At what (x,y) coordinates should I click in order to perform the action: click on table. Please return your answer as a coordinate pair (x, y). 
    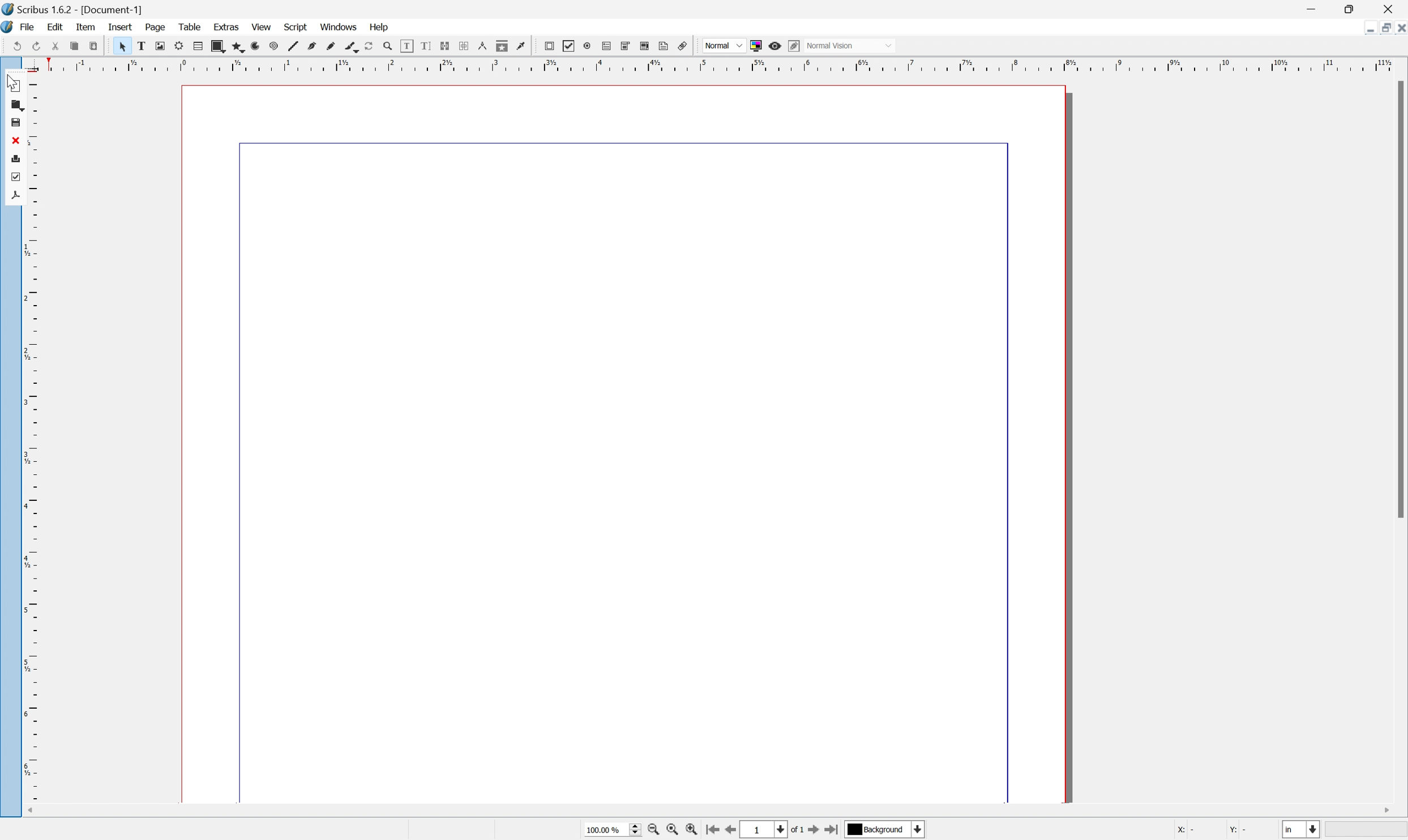
    Looking at the image, I should click on (190, 27).